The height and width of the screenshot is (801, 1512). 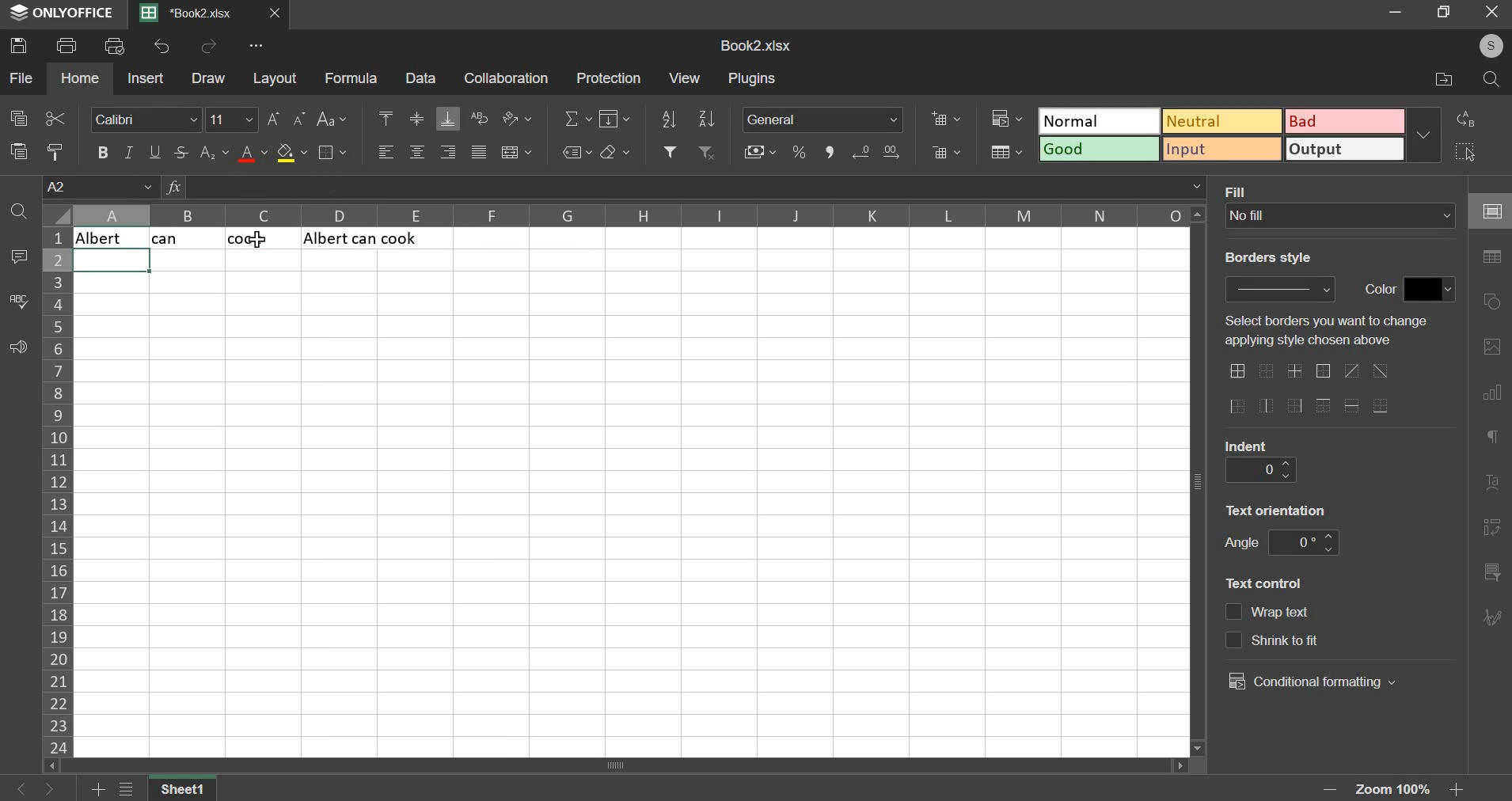 What do you see at coordinates (449, 152) in the screenshot?
I see `align right` at bounding box center [449, 152].